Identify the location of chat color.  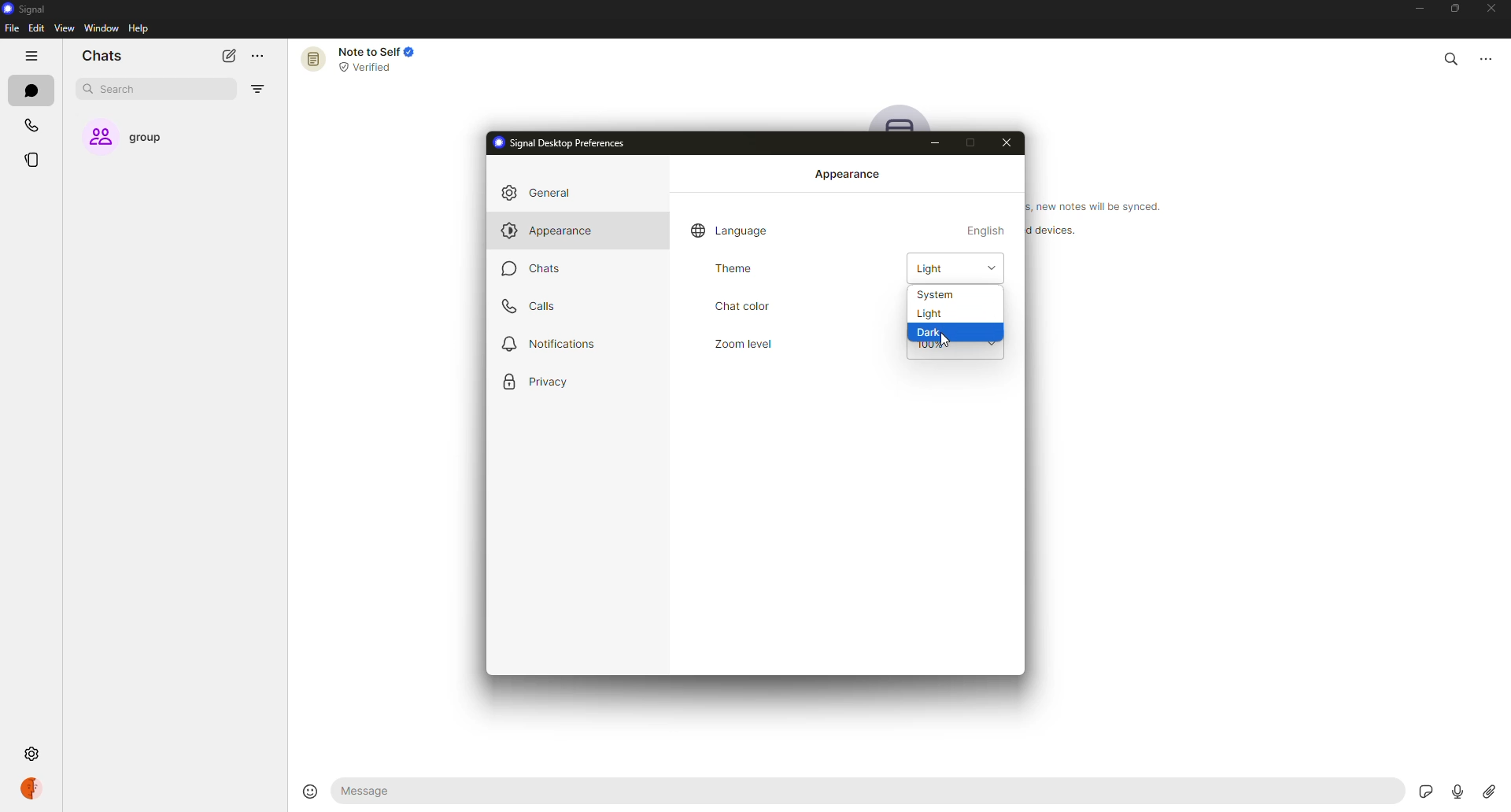
(741, 306).